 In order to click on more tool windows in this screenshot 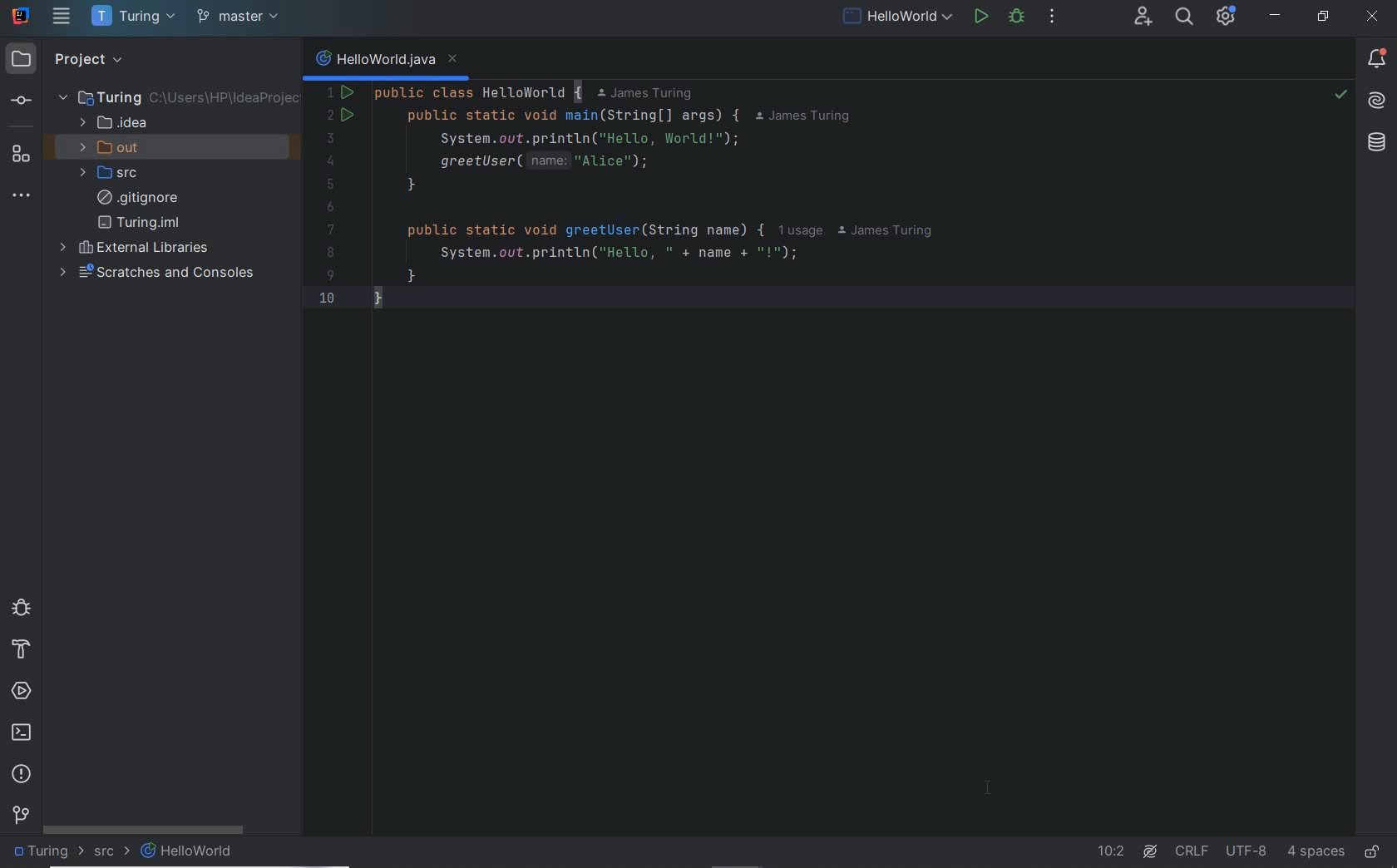, I will do `click(22, 196)`.